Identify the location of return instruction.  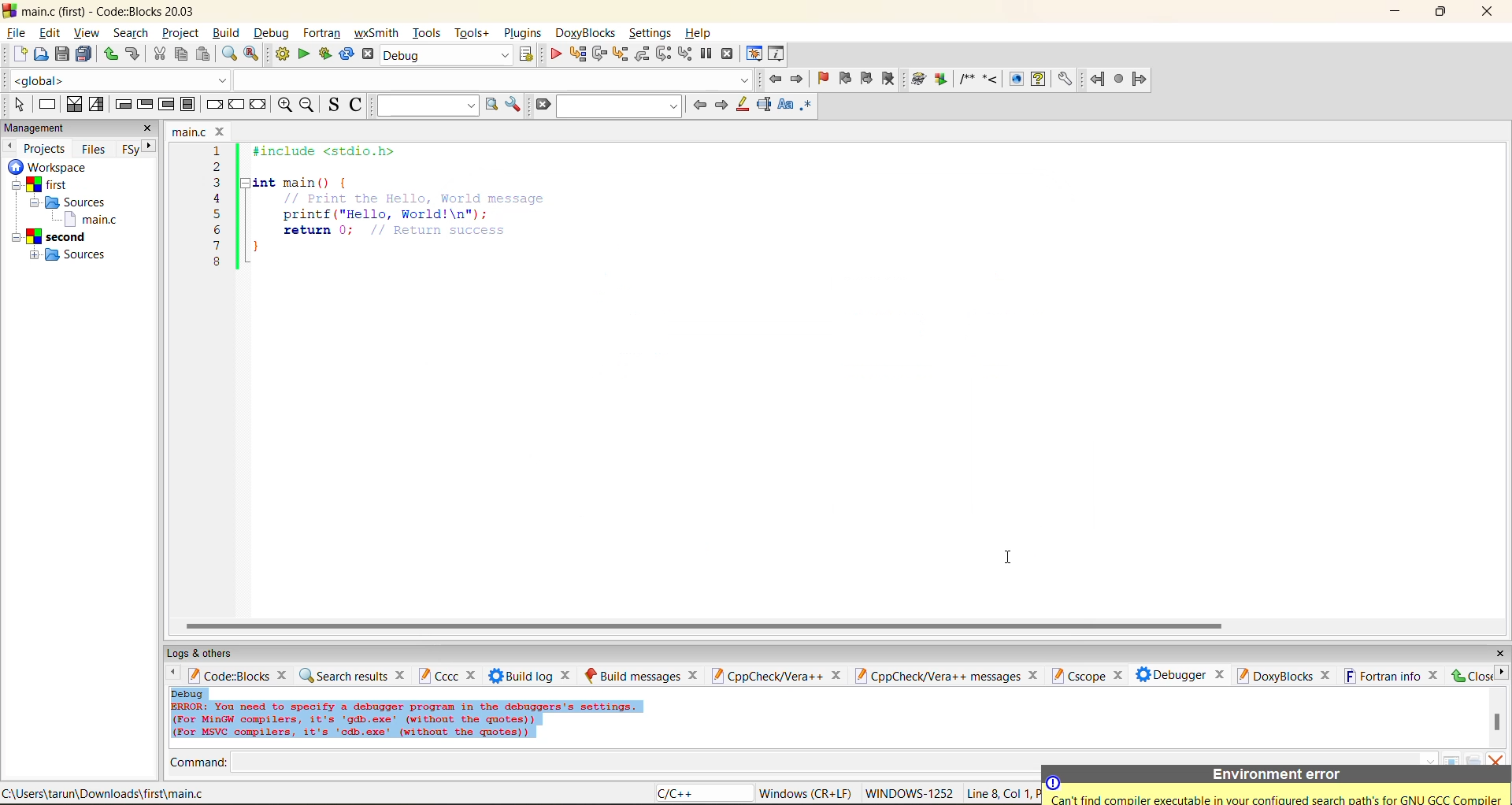
(259, 106).